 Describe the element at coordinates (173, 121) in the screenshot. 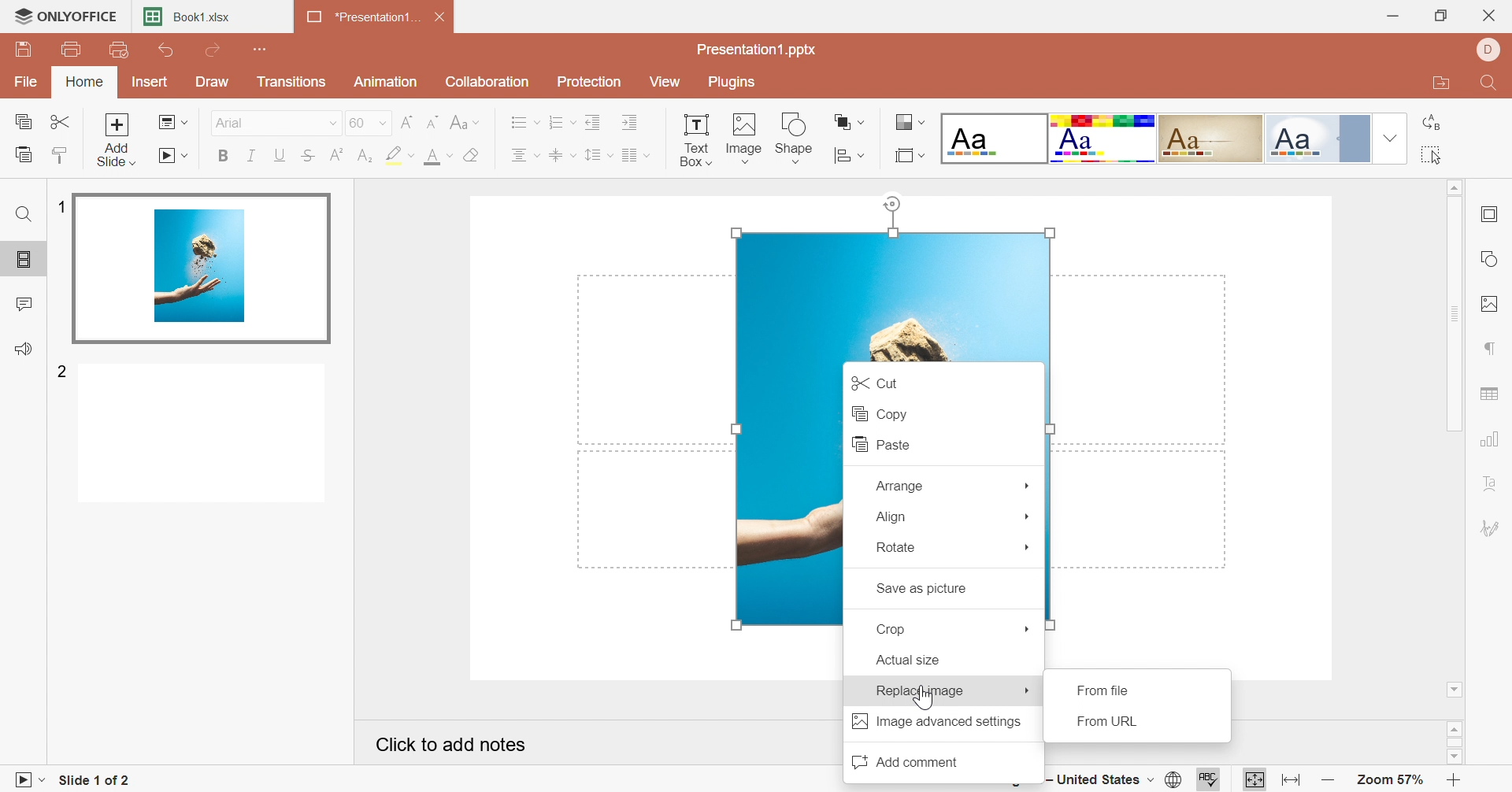

I see `Change slide layout` at that location.